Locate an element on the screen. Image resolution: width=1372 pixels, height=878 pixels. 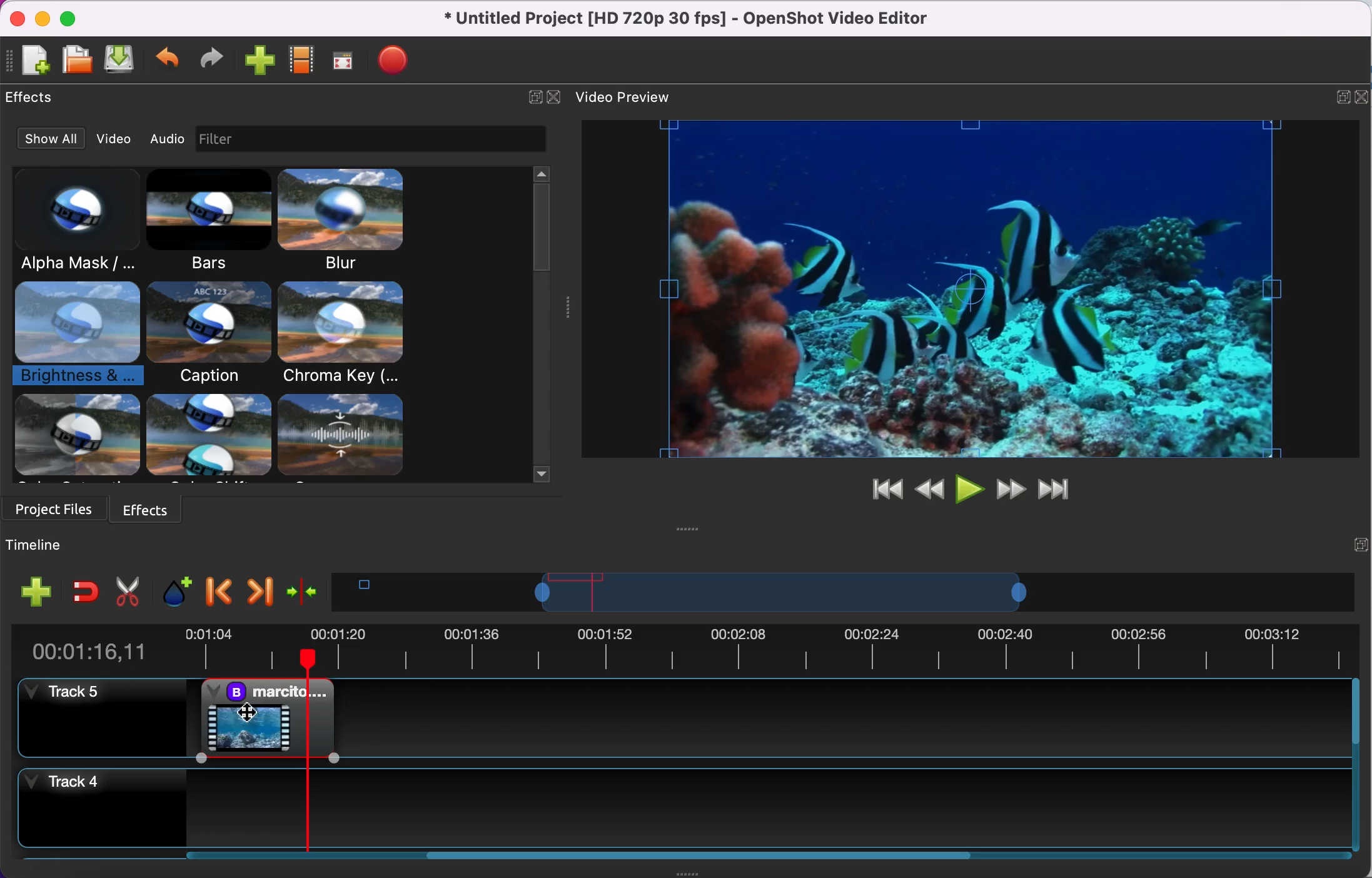
video is located at coordinates (109, 138).